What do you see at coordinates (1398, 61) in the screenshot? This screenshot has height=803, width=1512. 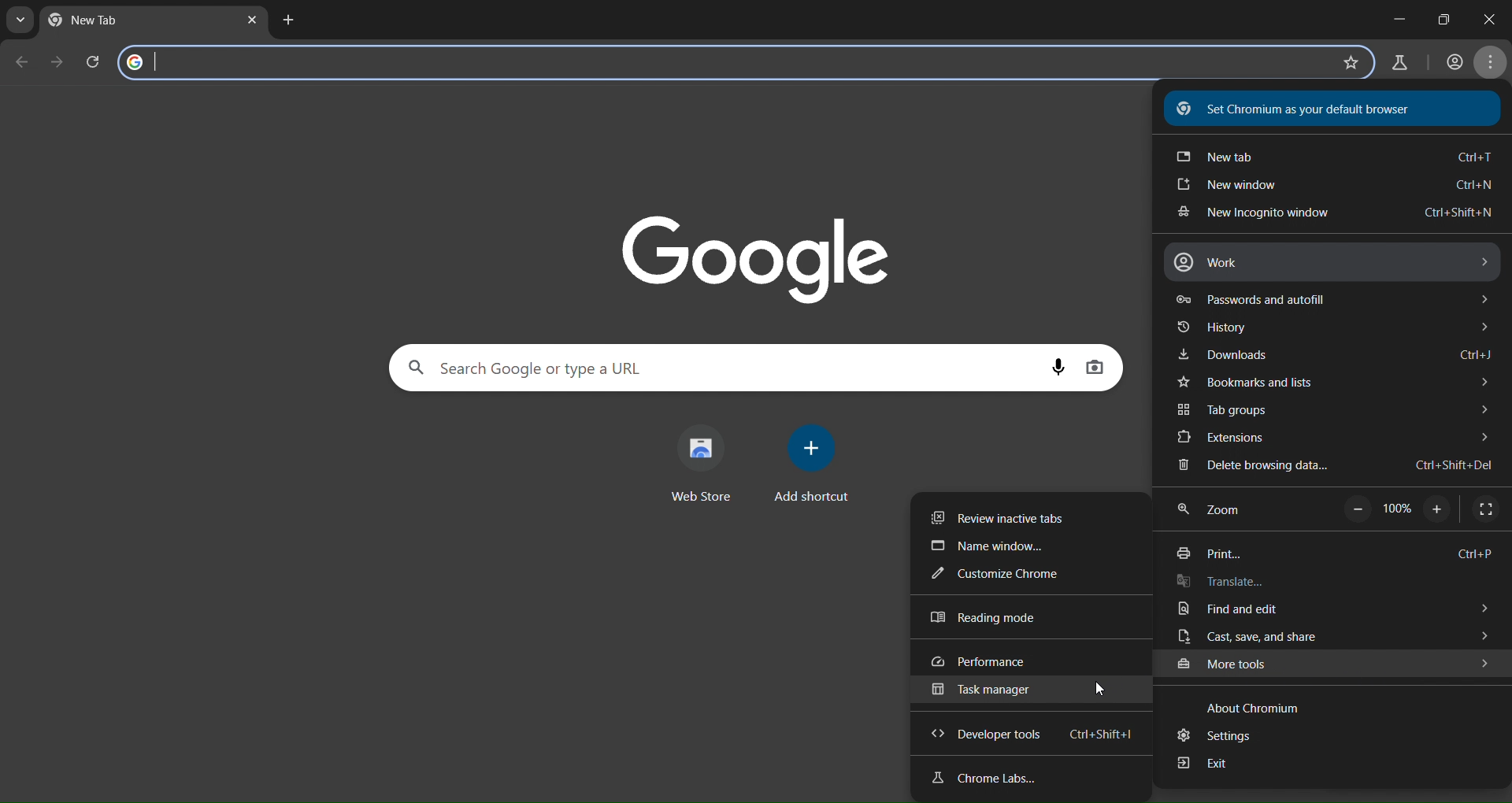 I see `search labs` at bounding box center [1398, 61].